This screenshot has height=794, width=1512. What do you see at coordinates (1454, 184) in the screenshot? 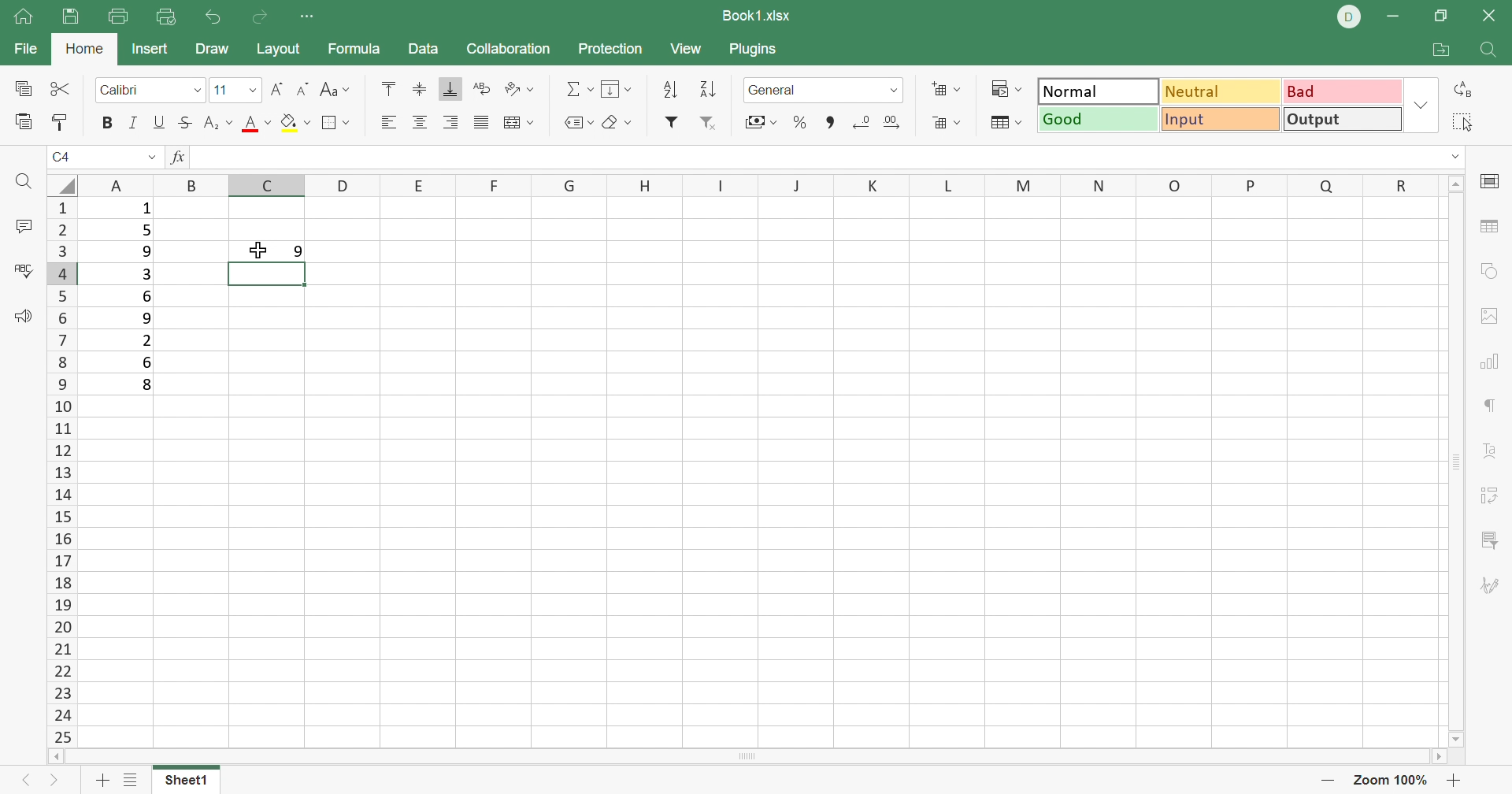
I see `Scroll Up` at bounding box center [1454, 184].